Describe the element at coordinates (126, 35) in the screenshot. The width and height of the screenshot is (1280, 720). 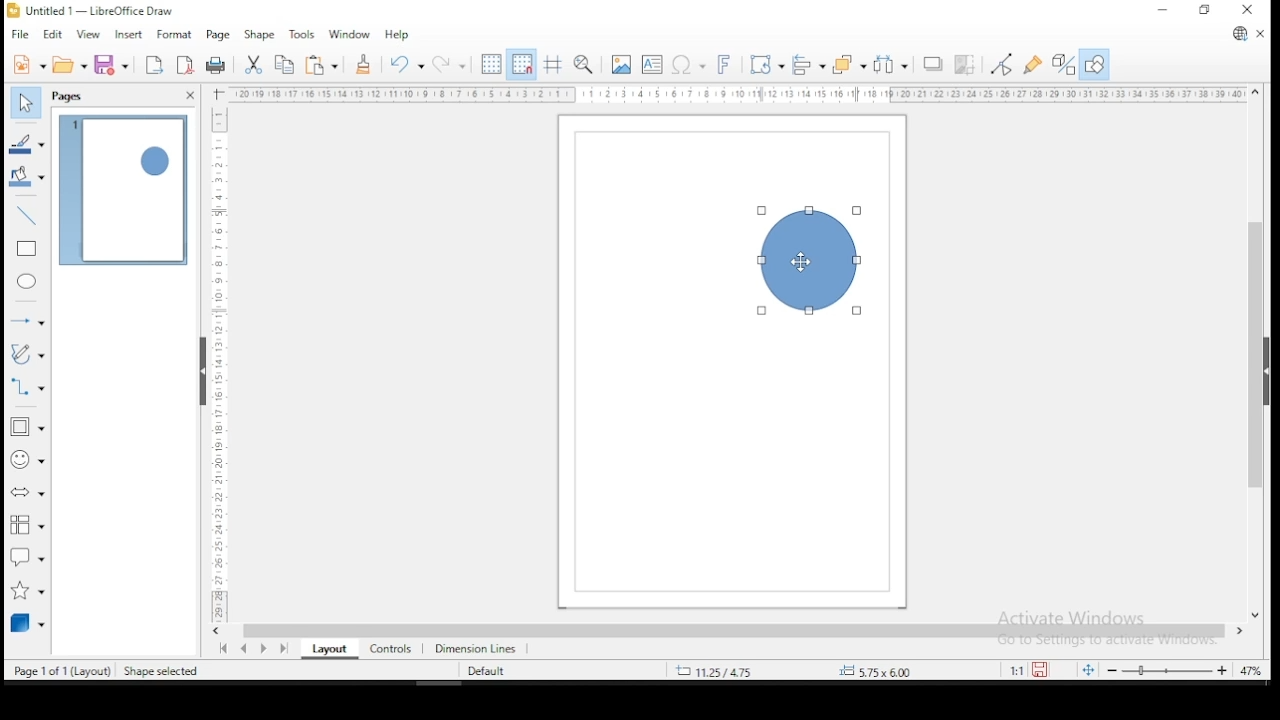
I see `insert` at that location.